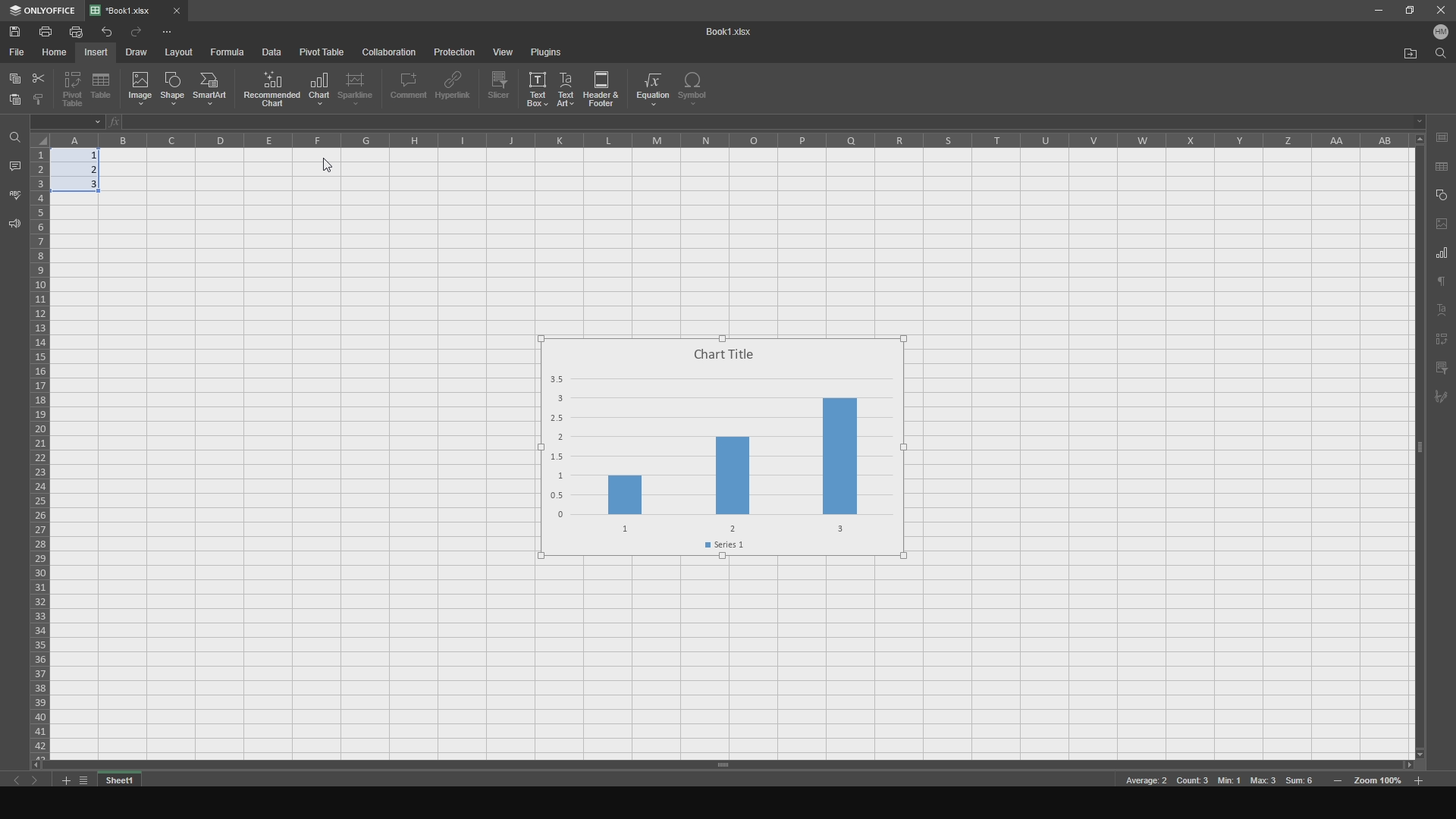 The width and height of the screenshot is (1456, 819). I want to click on sheet, so click(122, 780).